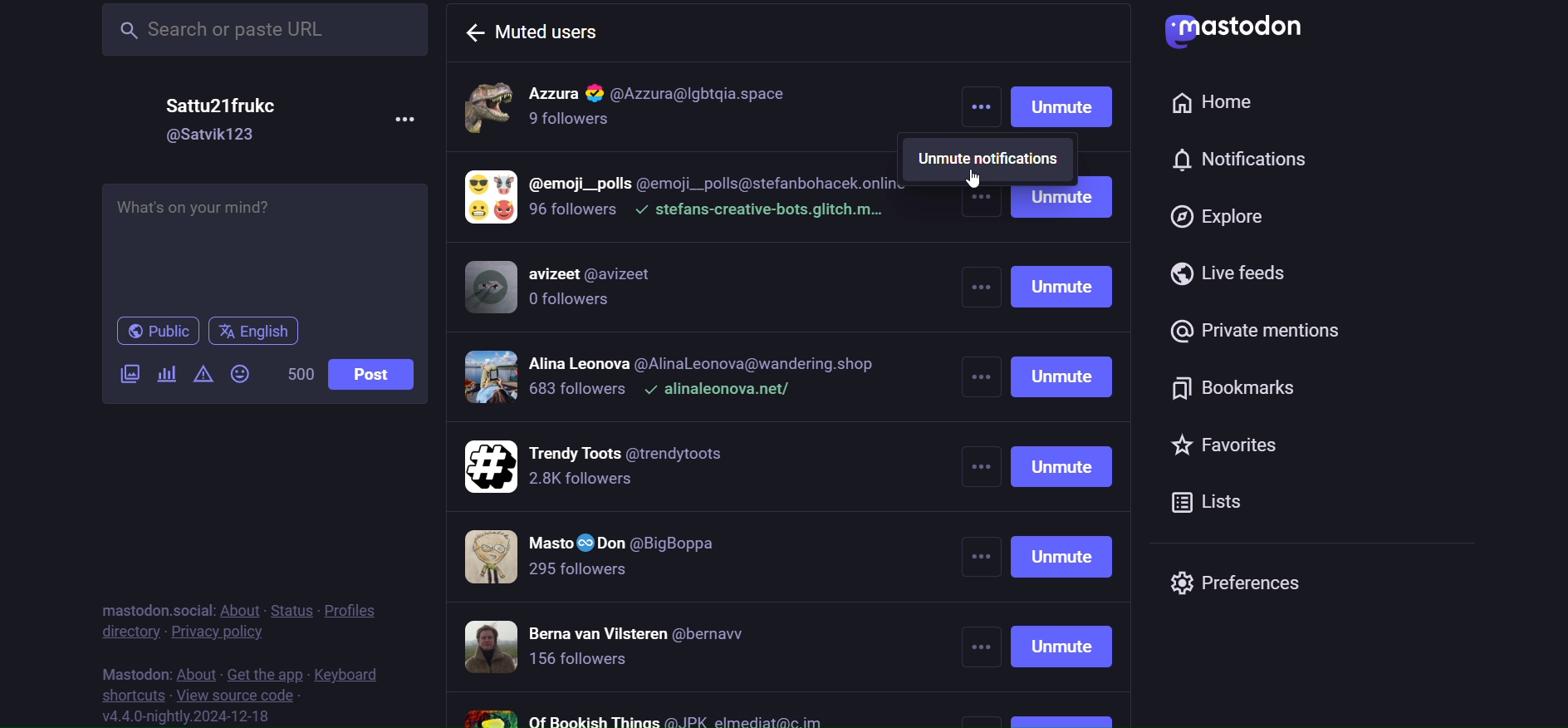 This screenshot has height=728, width=1568. I want to click on private mention, so click(1259, 329).